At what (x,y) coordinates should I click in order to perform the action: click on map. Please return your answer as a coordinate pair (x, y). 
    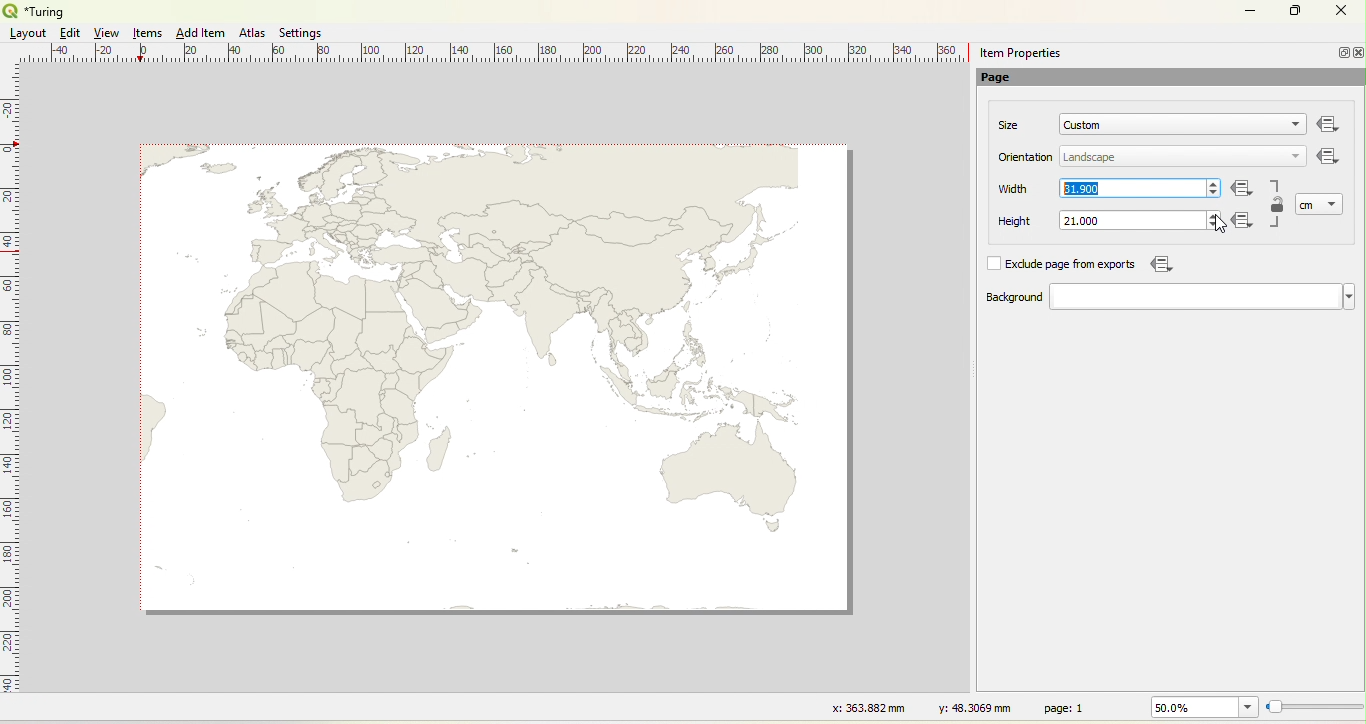
    Looking at the image, I should click on (493, 377).